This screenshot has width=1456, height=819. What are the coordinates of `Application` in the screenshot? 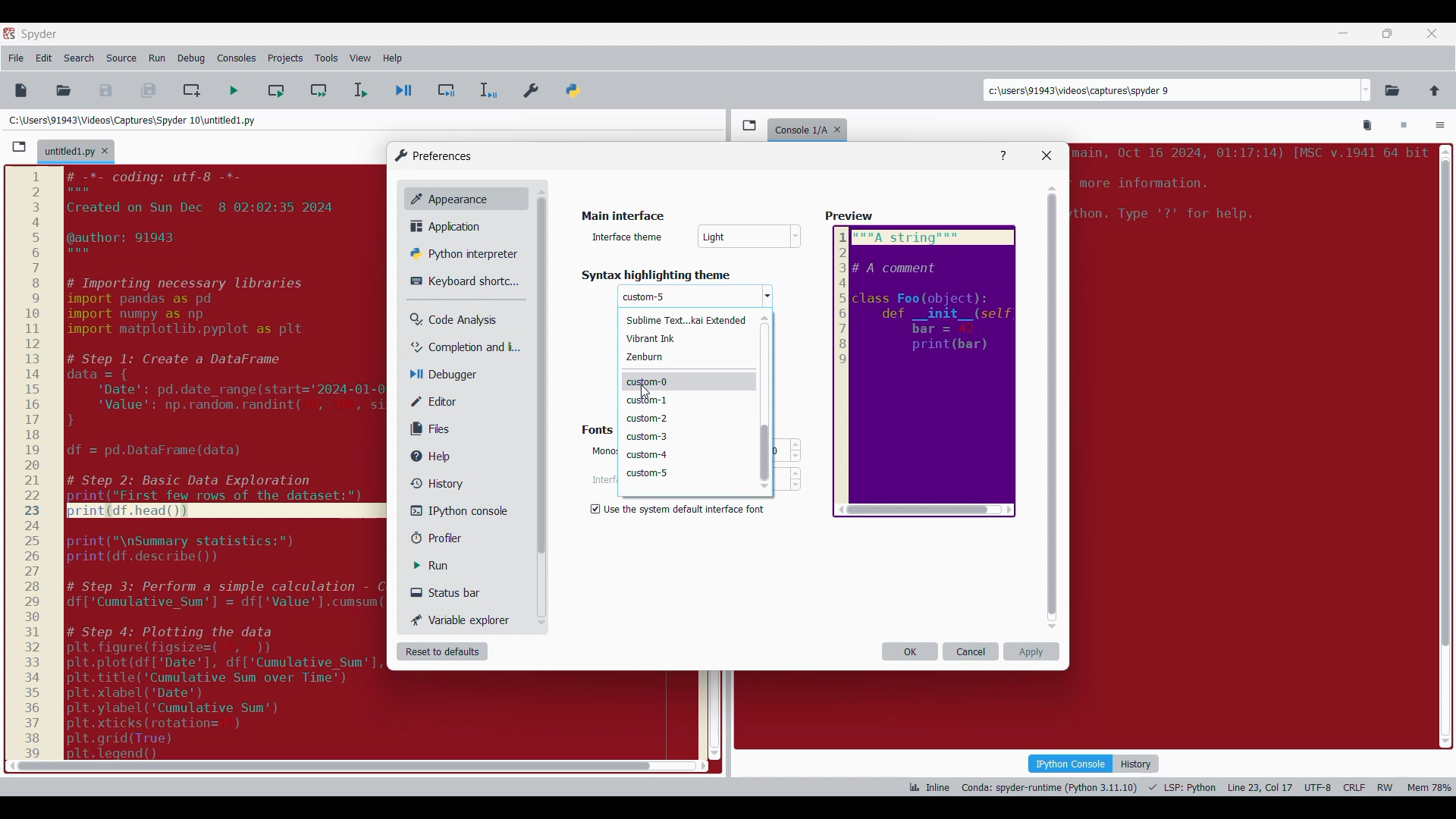 It's located at (450, 226).